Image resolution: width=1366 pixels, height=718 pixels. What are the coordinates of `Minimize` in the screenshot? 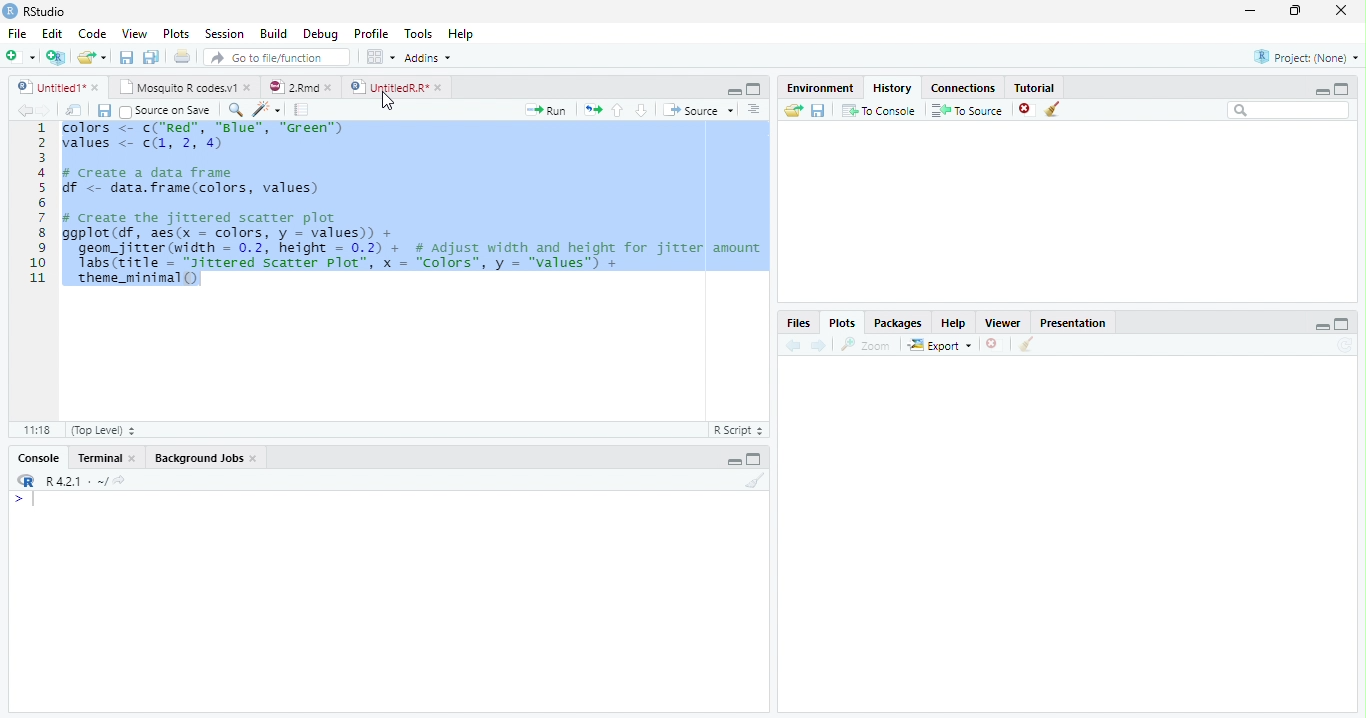 It's located at (1321, 91).